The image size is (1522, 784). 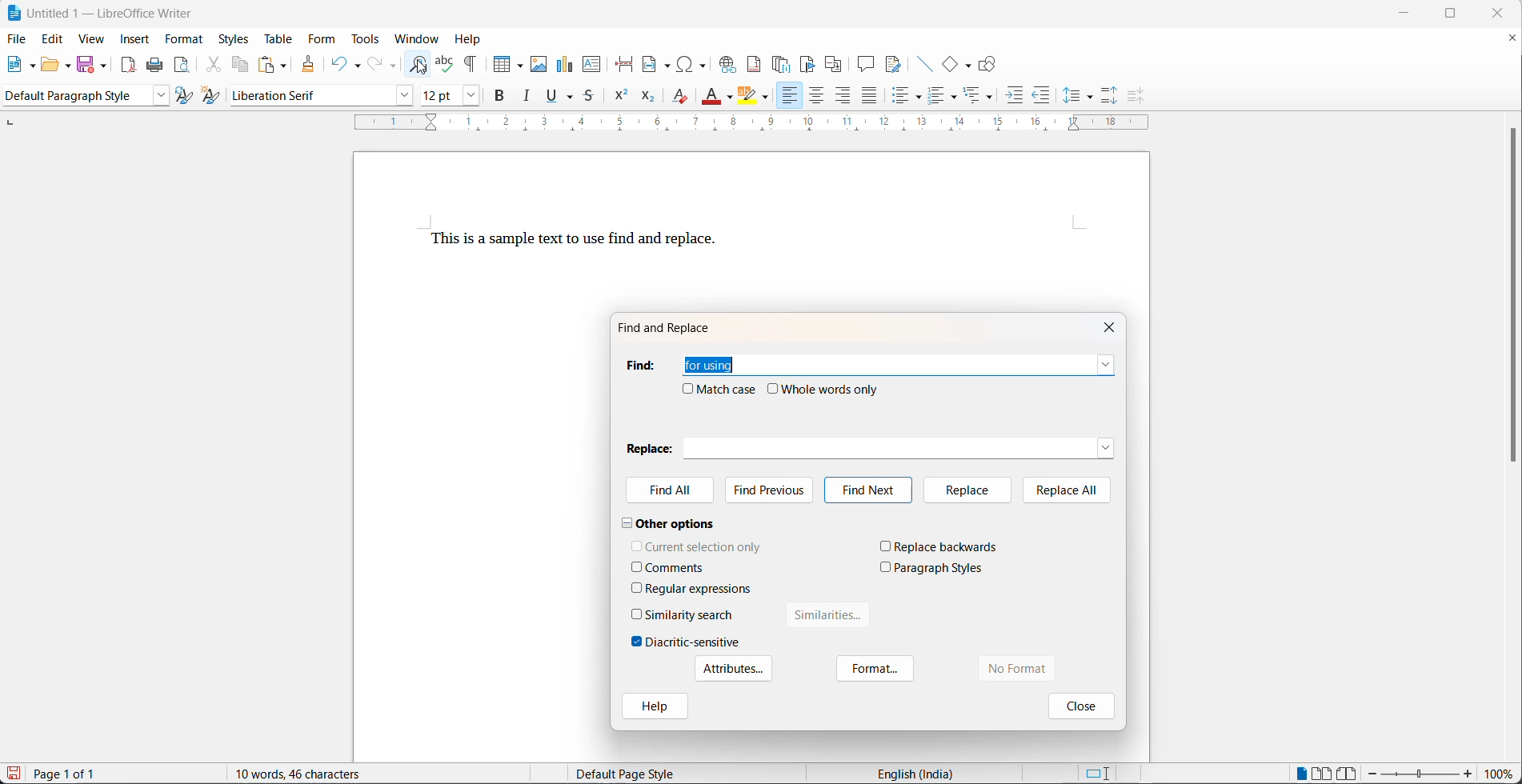 What do you see at coordinates (939, 568) in the screenshot?
I see `paragraph styles` at bounding box center [939, 568].